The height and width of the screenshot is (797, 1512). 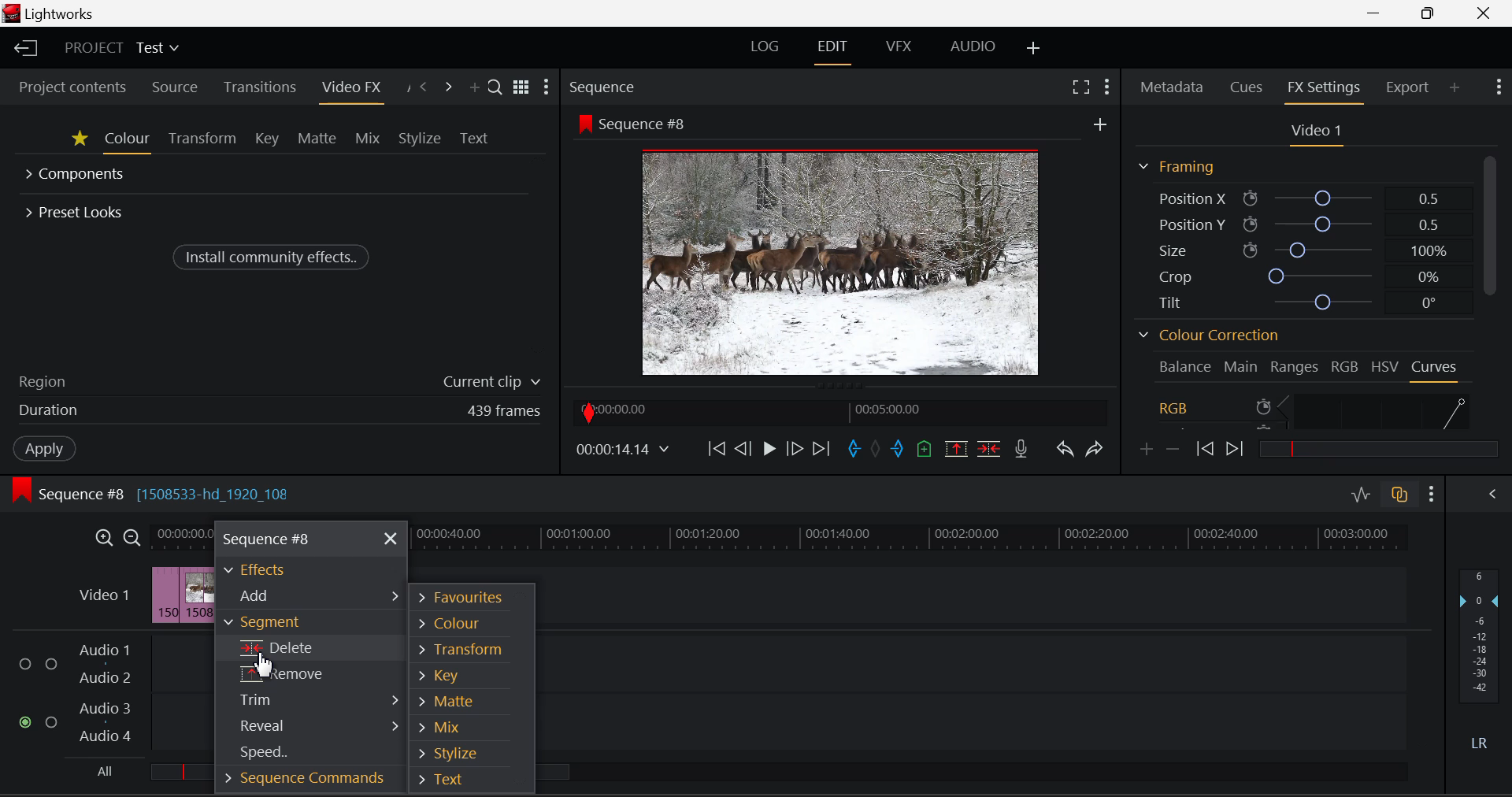 What do you see at coordinates (306, 648) in the screenshot?
I see `Cursor on Delete` at bounding box center [306, 648].